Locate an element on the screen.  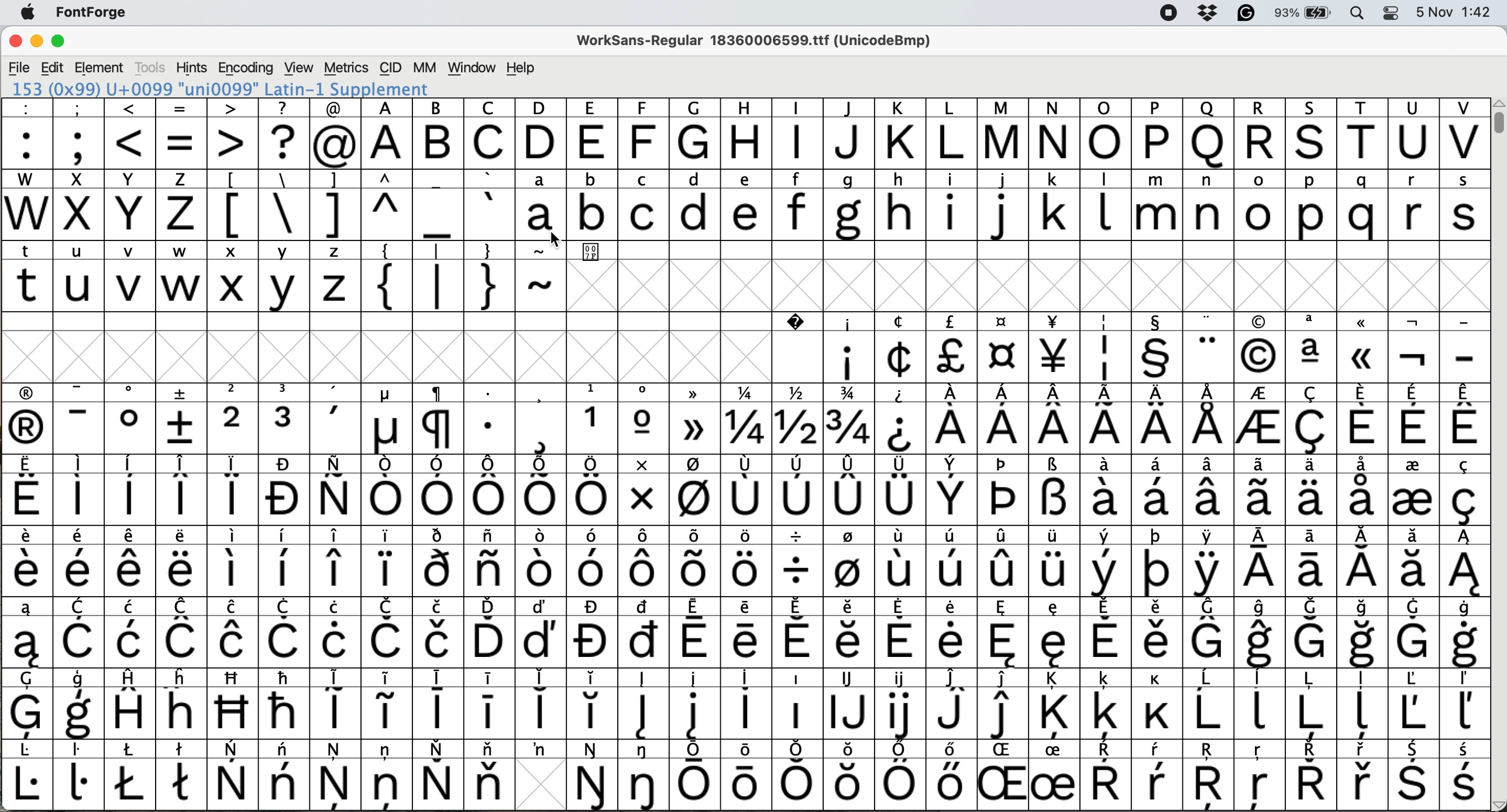
symbol is located at coordinates (1055, 419).